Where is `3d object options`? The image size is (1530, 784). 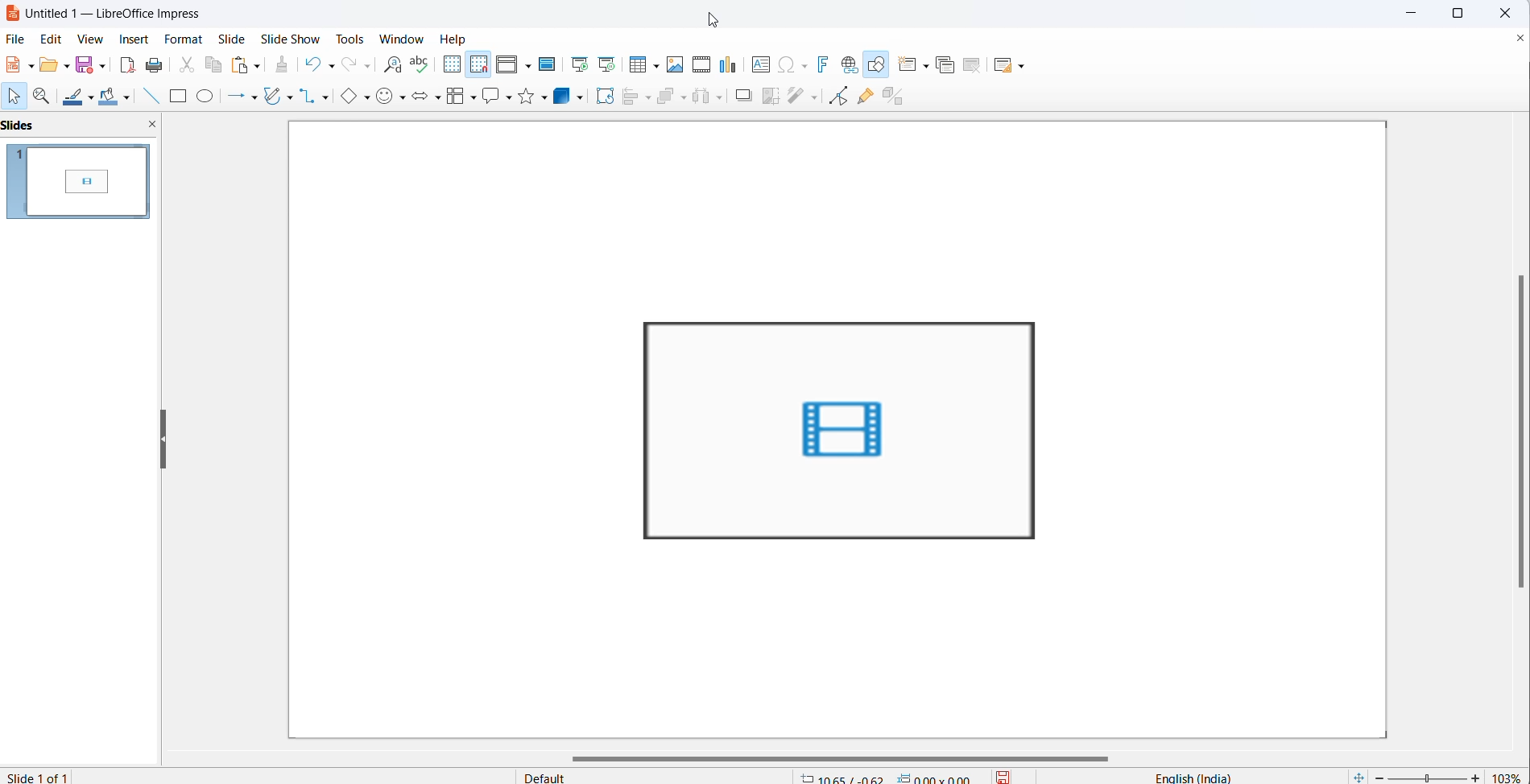 3d object options is located at coordinates (582, 97).